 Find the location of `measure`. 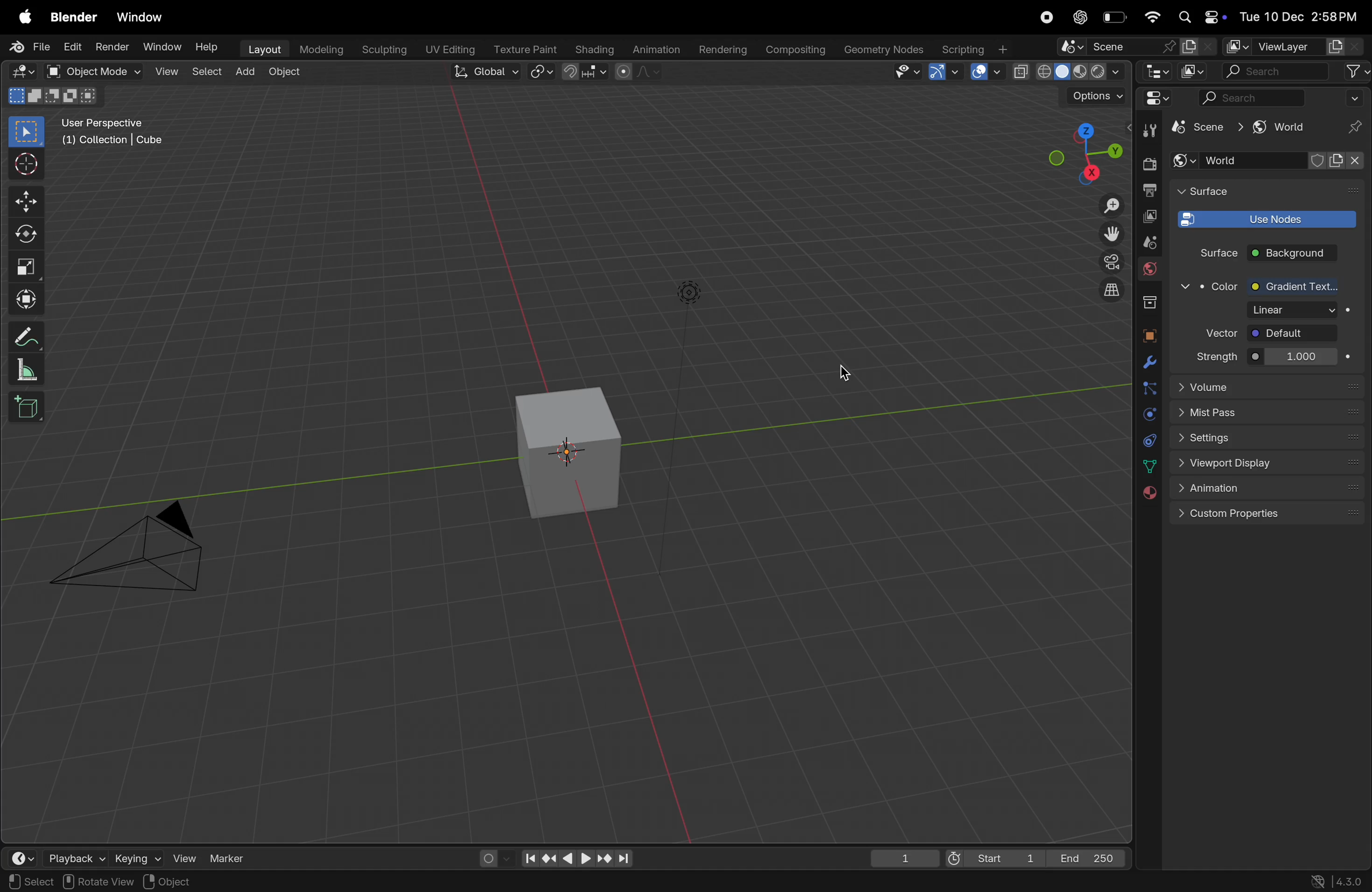

measure is located at coordinates (27, 369).